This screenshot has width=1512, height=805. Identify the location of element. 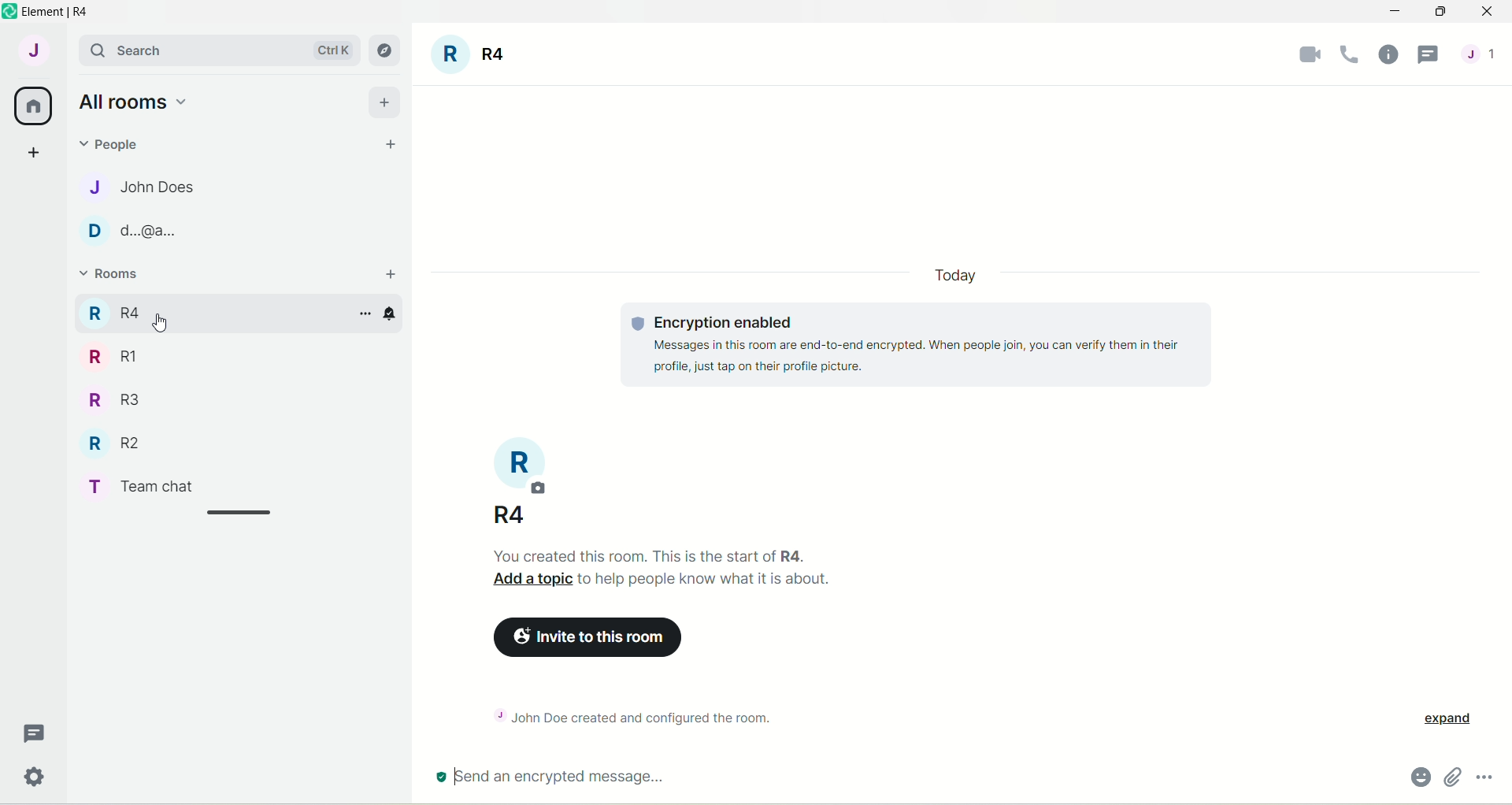
(61, 12).